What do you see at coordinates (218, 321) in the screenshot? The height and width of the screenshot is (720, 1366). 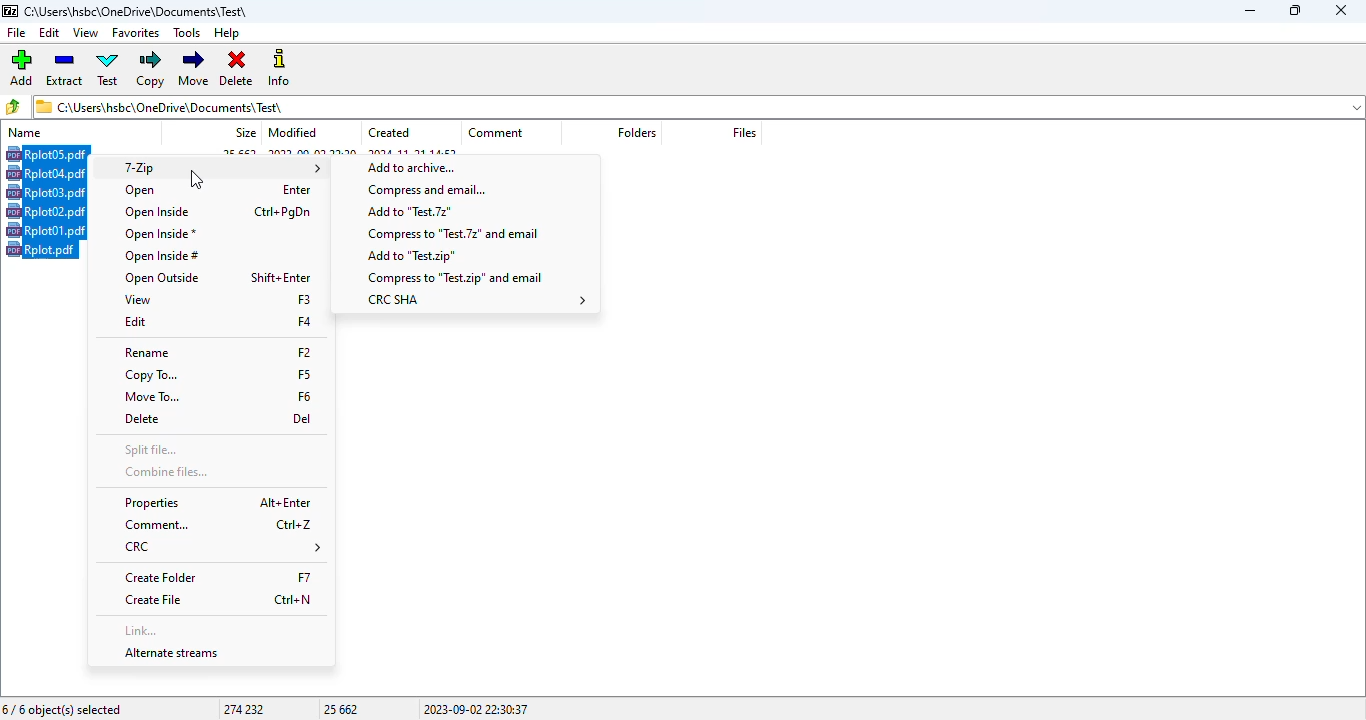 I see `edit` at bounding box center [218, 321].